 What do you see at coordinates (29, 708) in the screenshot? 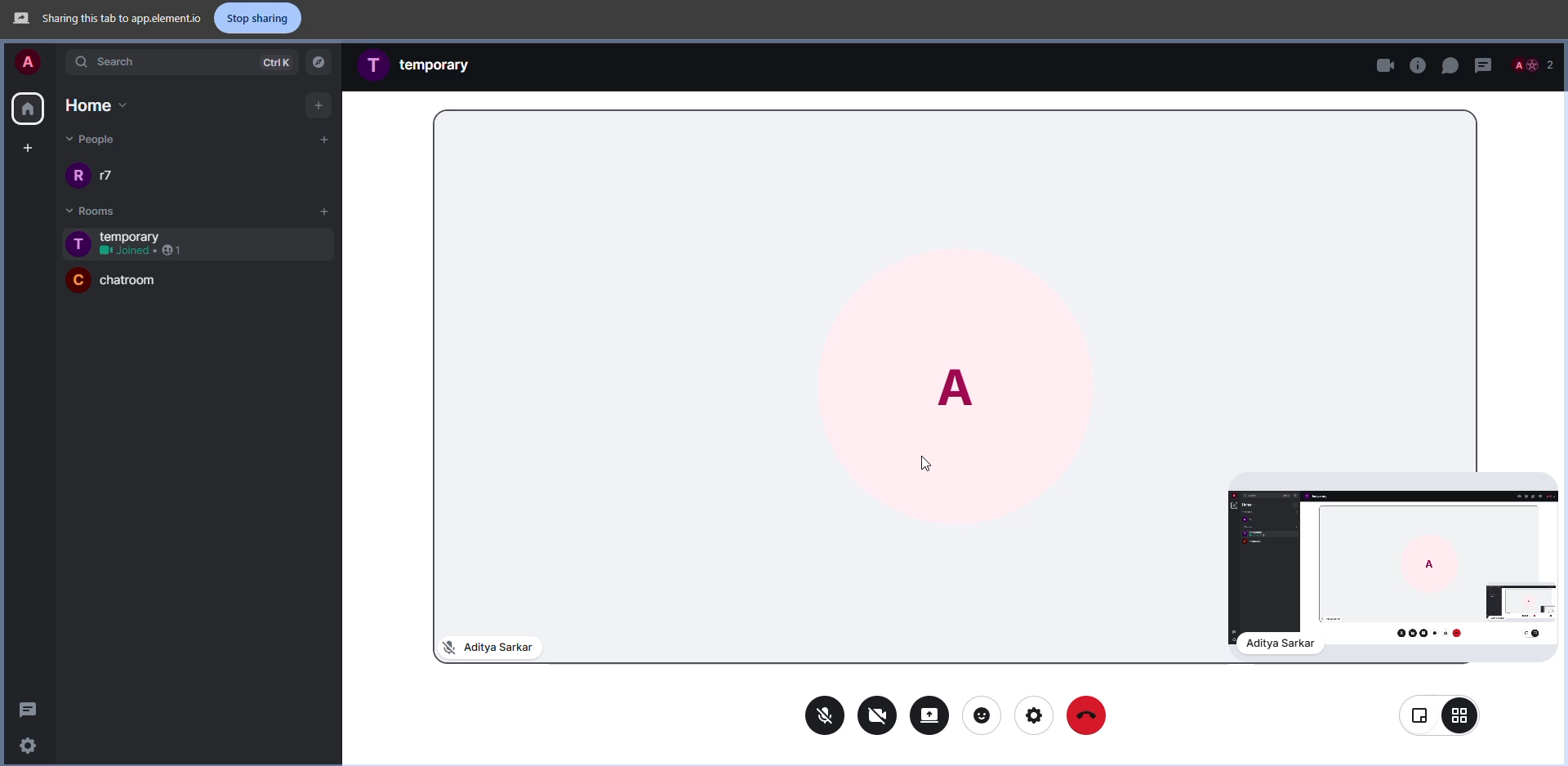
I see `threads` at bounding box center [29, 708].